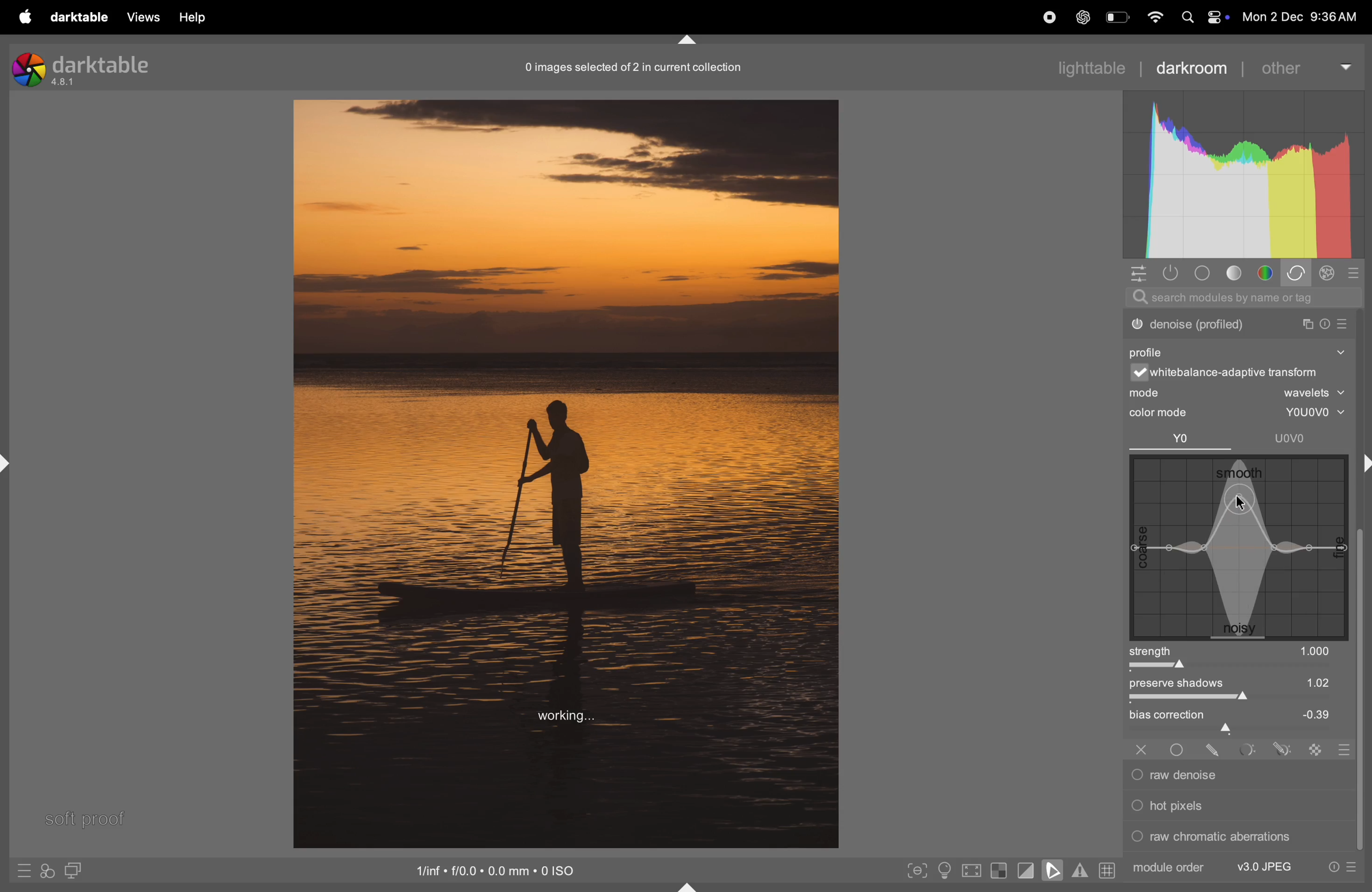 This screenshot has height=892, width=1372. What do you see at coordinates (1201, 17) in the screenshot?
I see `apple widgets` at bounding box center [1201, 17].